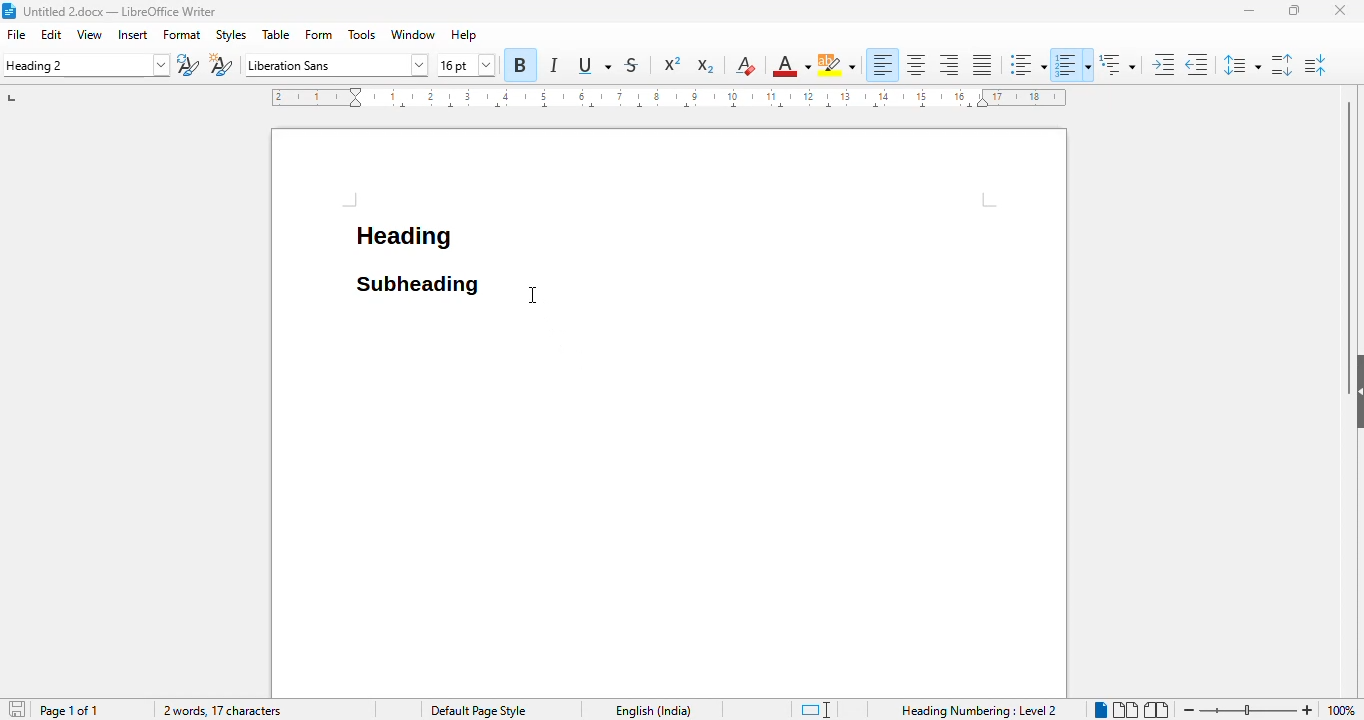 Image resolution: width=1364 pixels, height=720 pixels. I want to click on table, so click(275, 34).